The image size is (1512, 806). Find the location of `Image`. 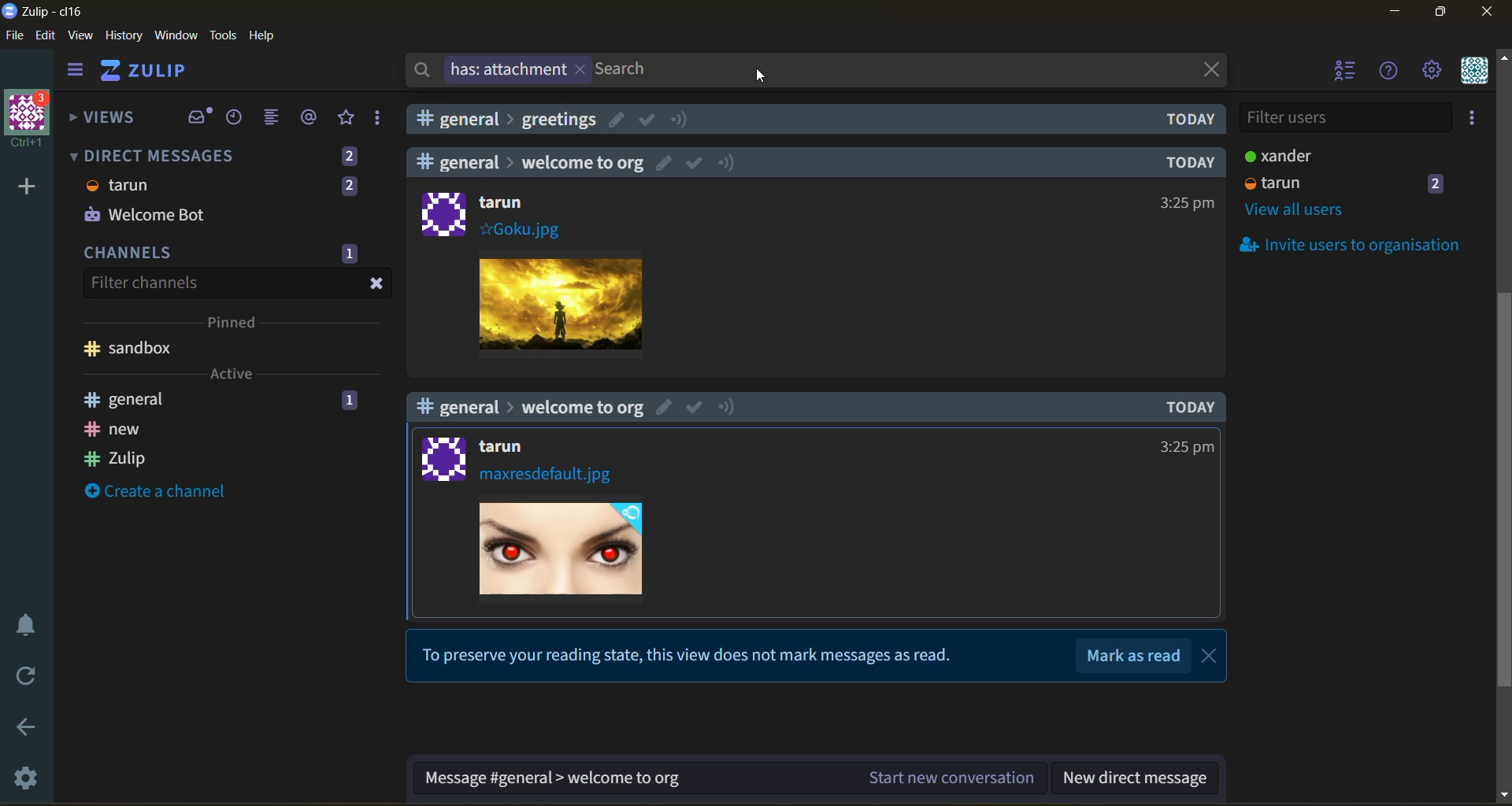

Image is located at coordinates (565, 549).